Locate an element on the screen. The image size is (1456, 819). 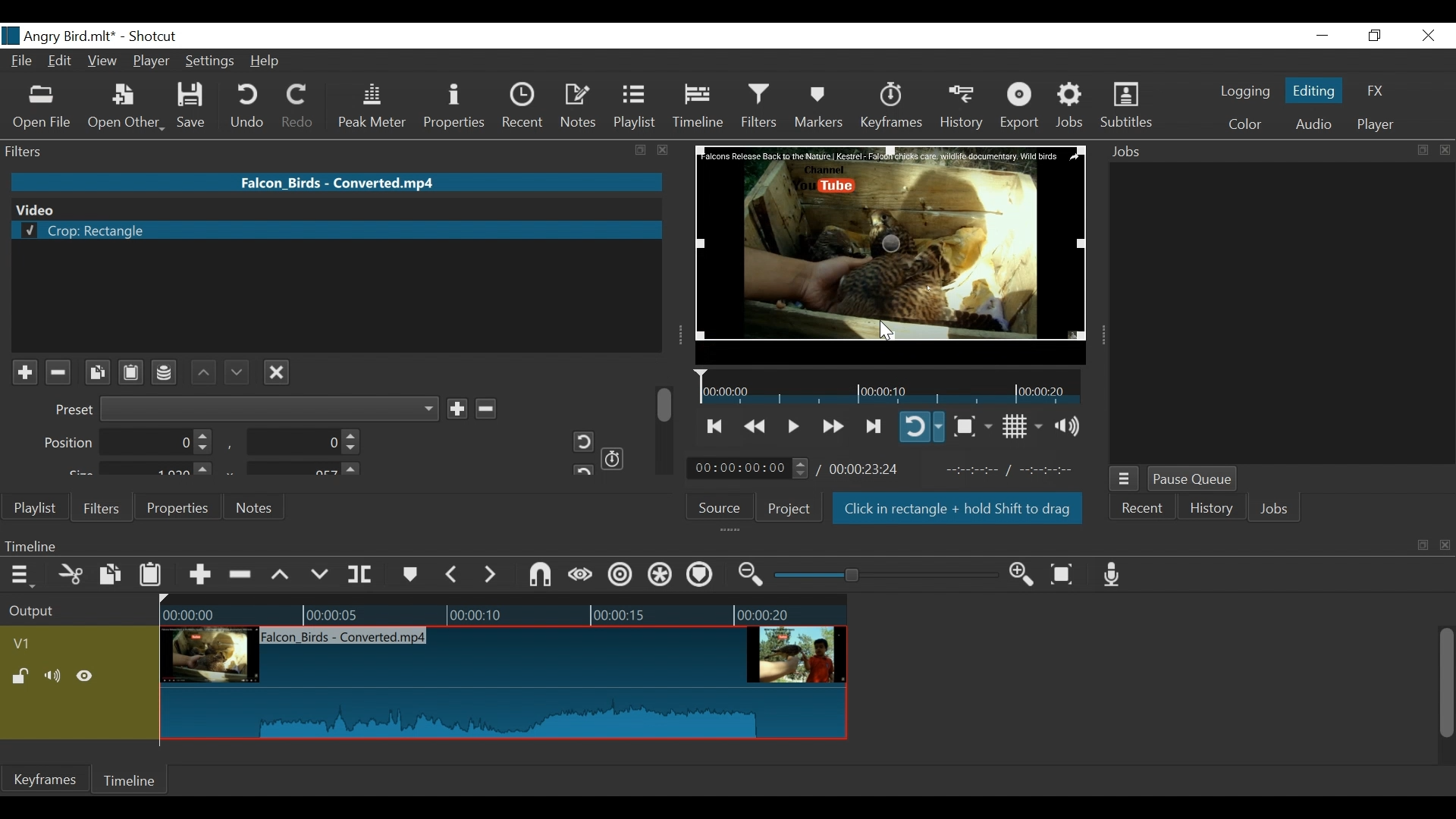
Timeline is located at coordinates (890, 386).